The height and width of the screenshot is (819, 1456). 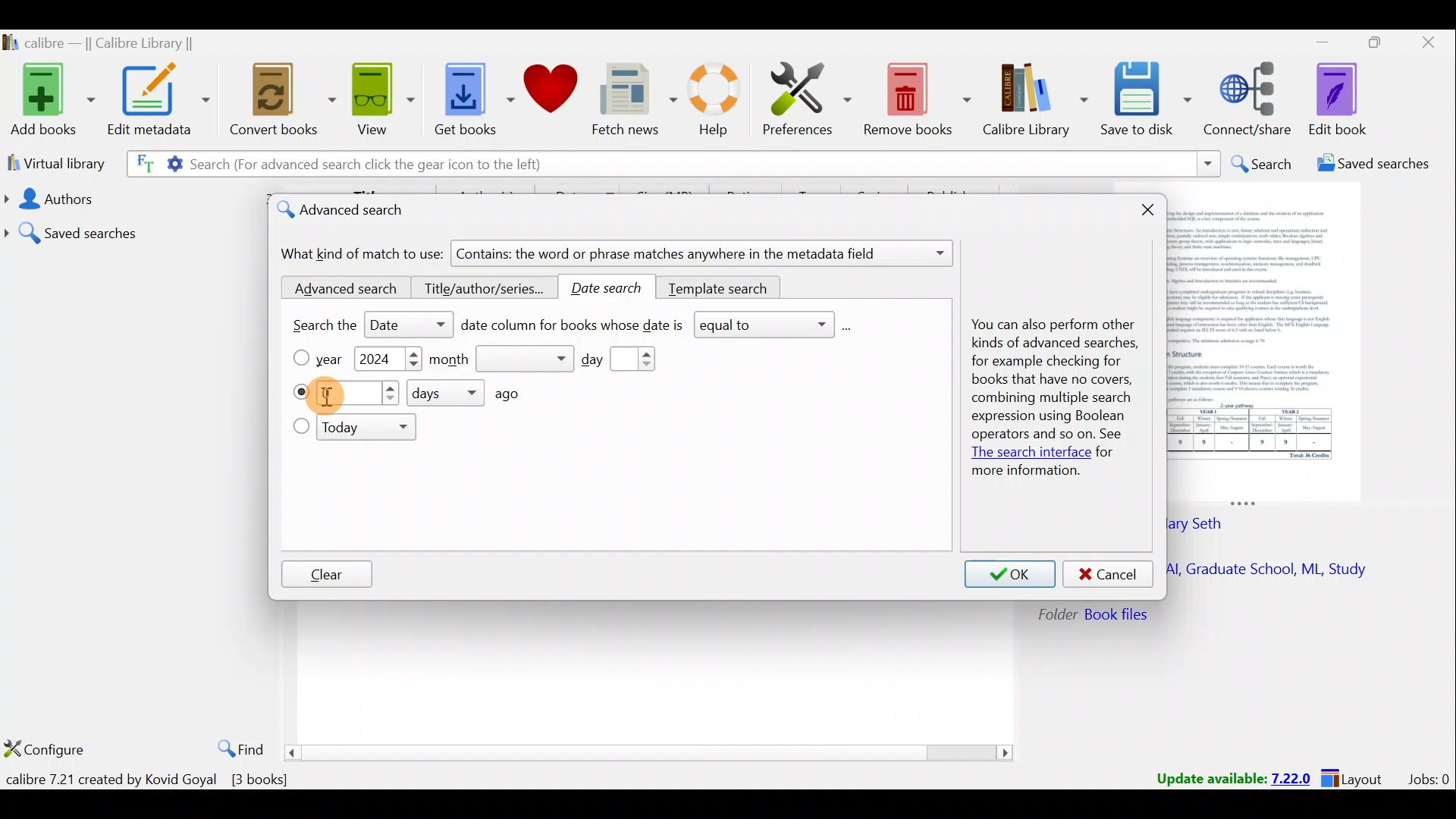 I want to click on Help, so click(x=720, y=102).